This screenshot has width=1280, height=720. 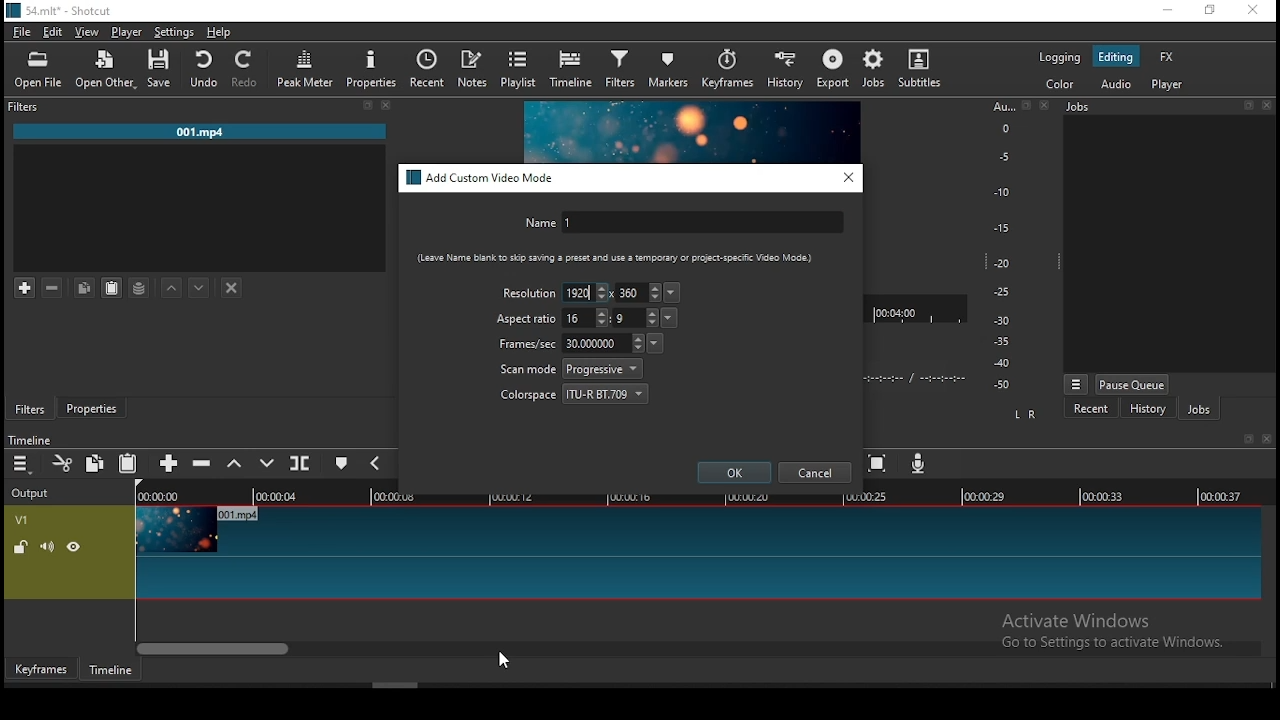 What do you see at coordinates (527, 292) in the screenshot?
I see `resolution` at bounding box center [527, 292].